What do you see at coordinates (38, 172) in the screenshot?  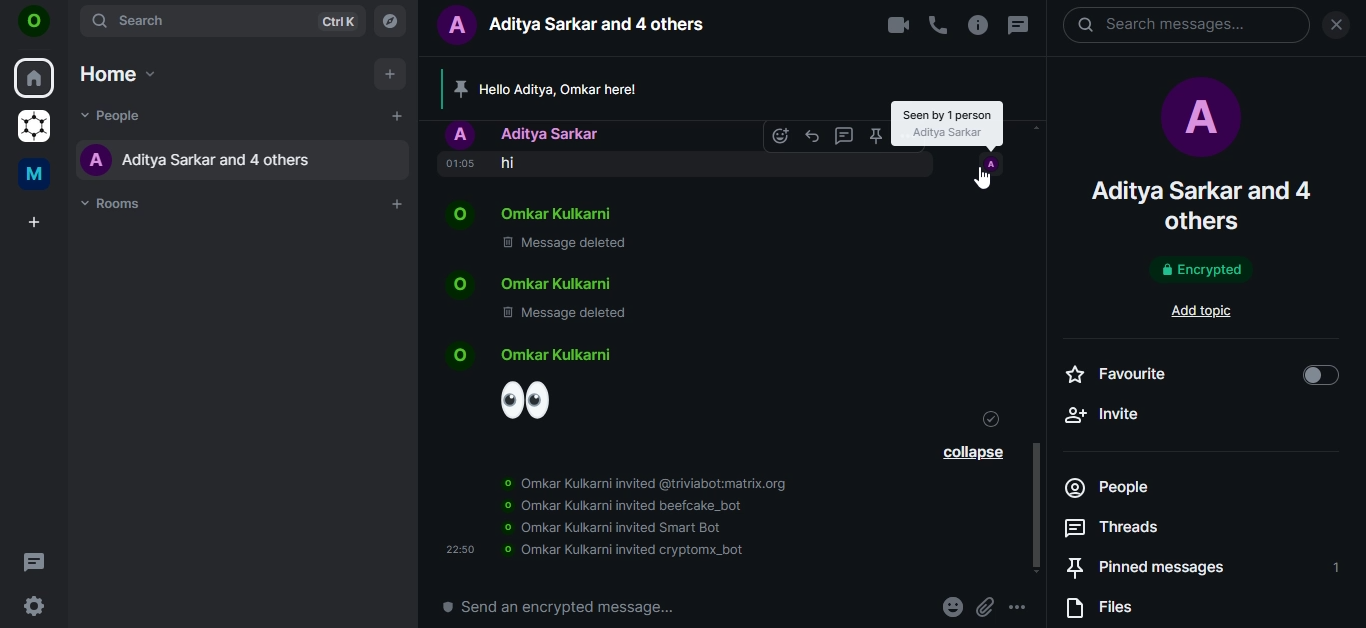 I see `me` at bounding box center [38, 172].